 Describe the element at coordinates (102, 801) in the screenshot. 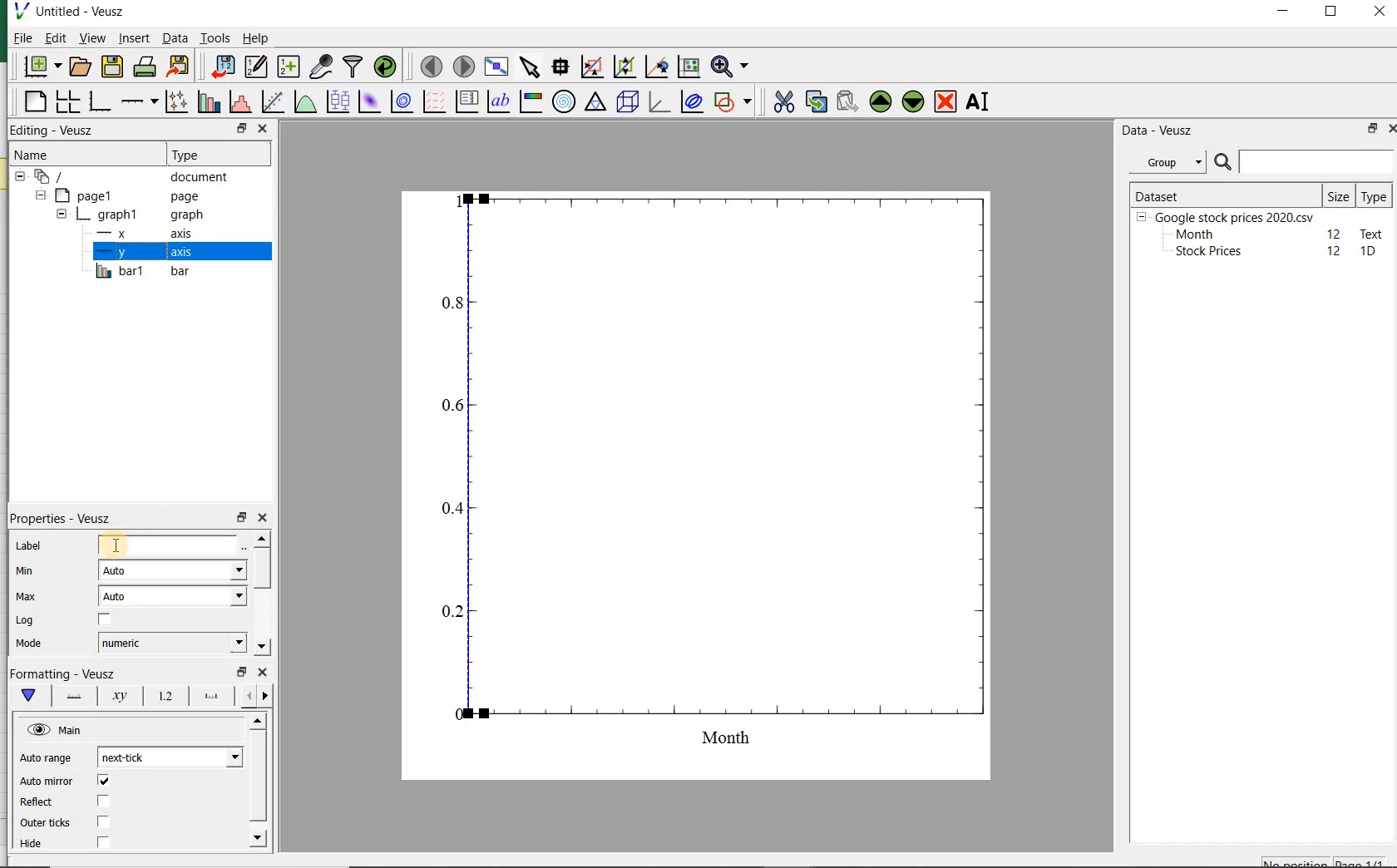

I see `check/uncheck` at that location.